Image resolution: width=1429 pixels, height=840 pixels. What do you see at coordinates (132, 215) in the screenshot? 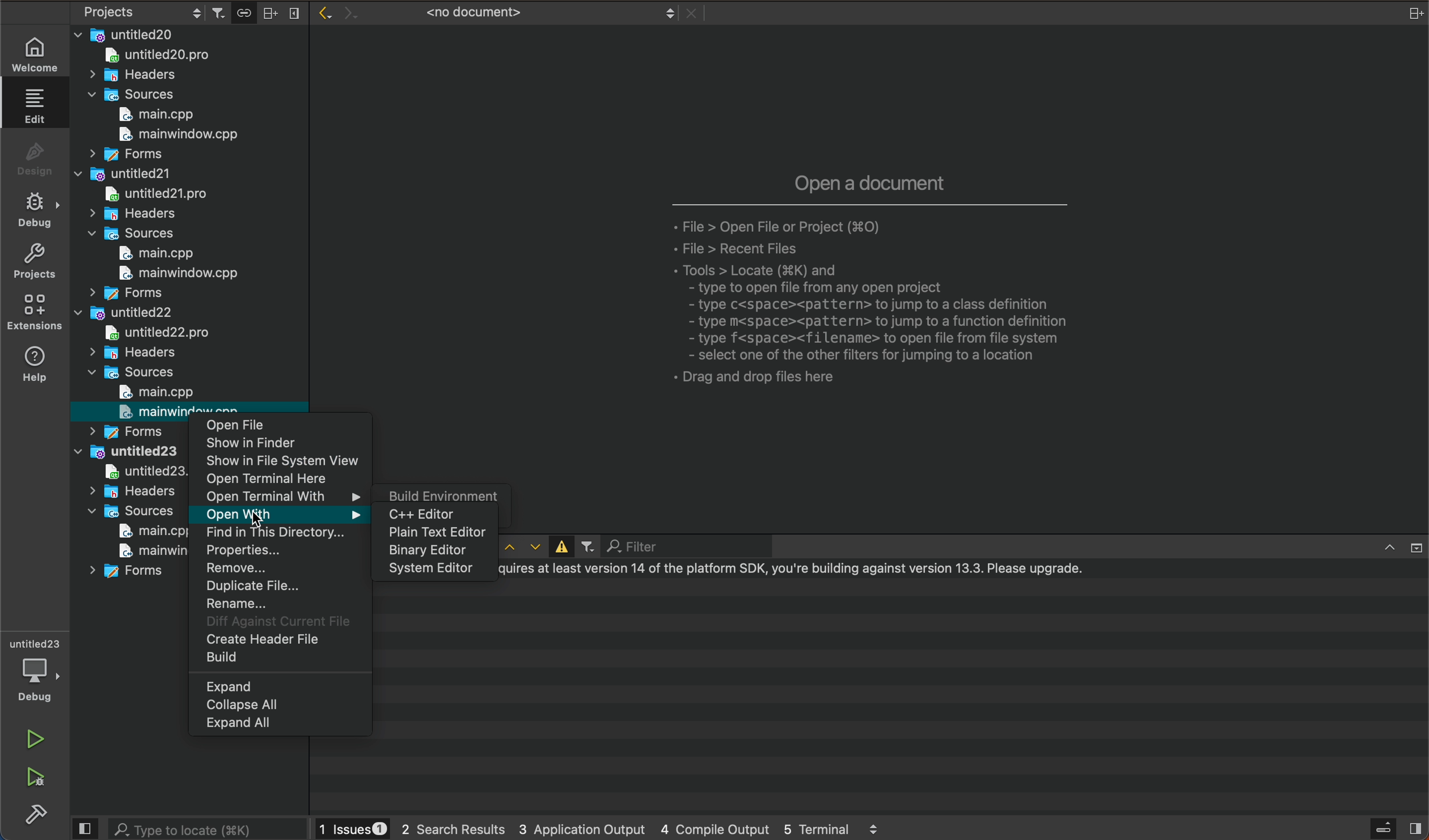
I see `headers` at bounding box center [132, 215].